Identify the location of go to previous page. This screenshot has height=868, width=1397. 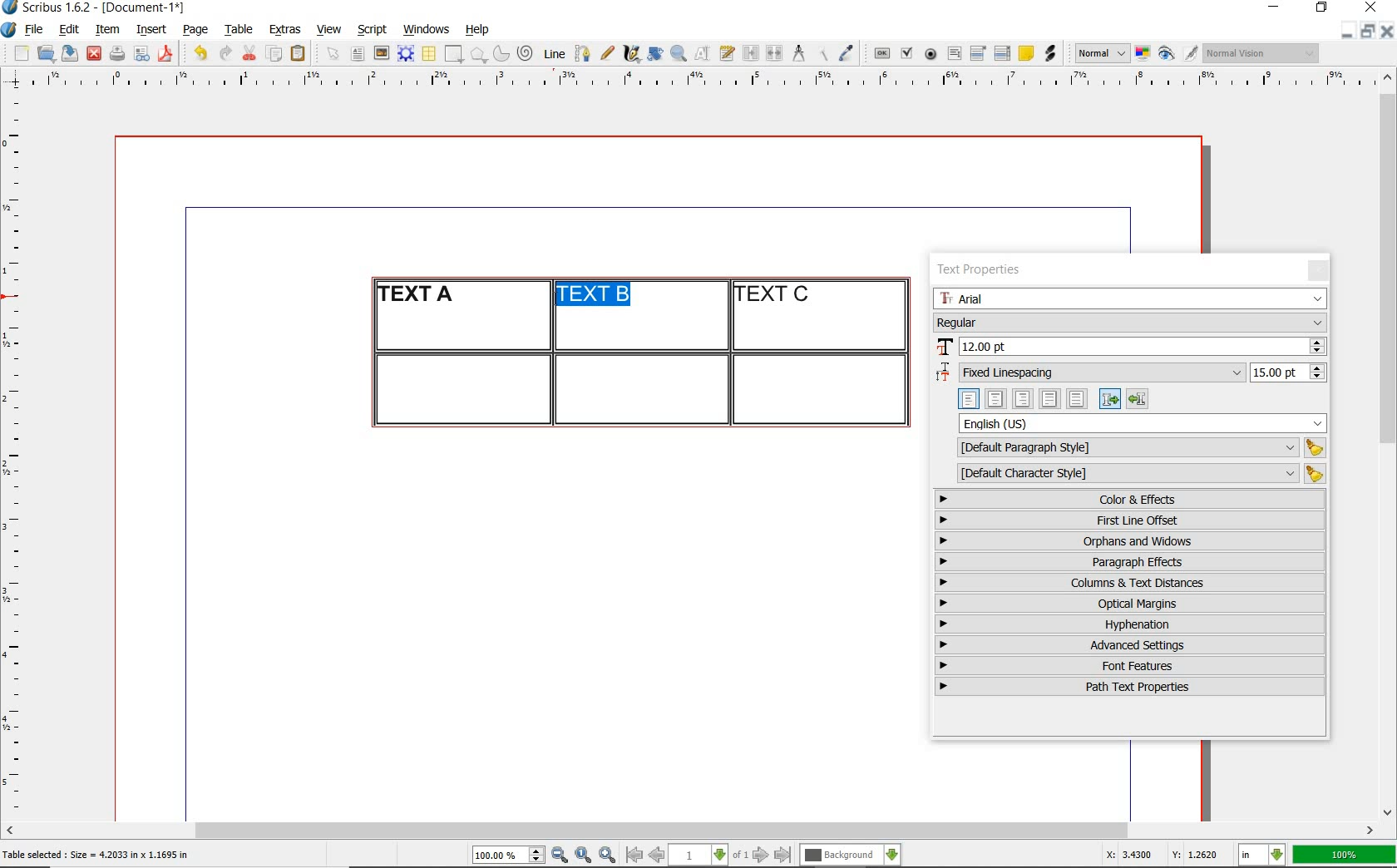
(656, 856).